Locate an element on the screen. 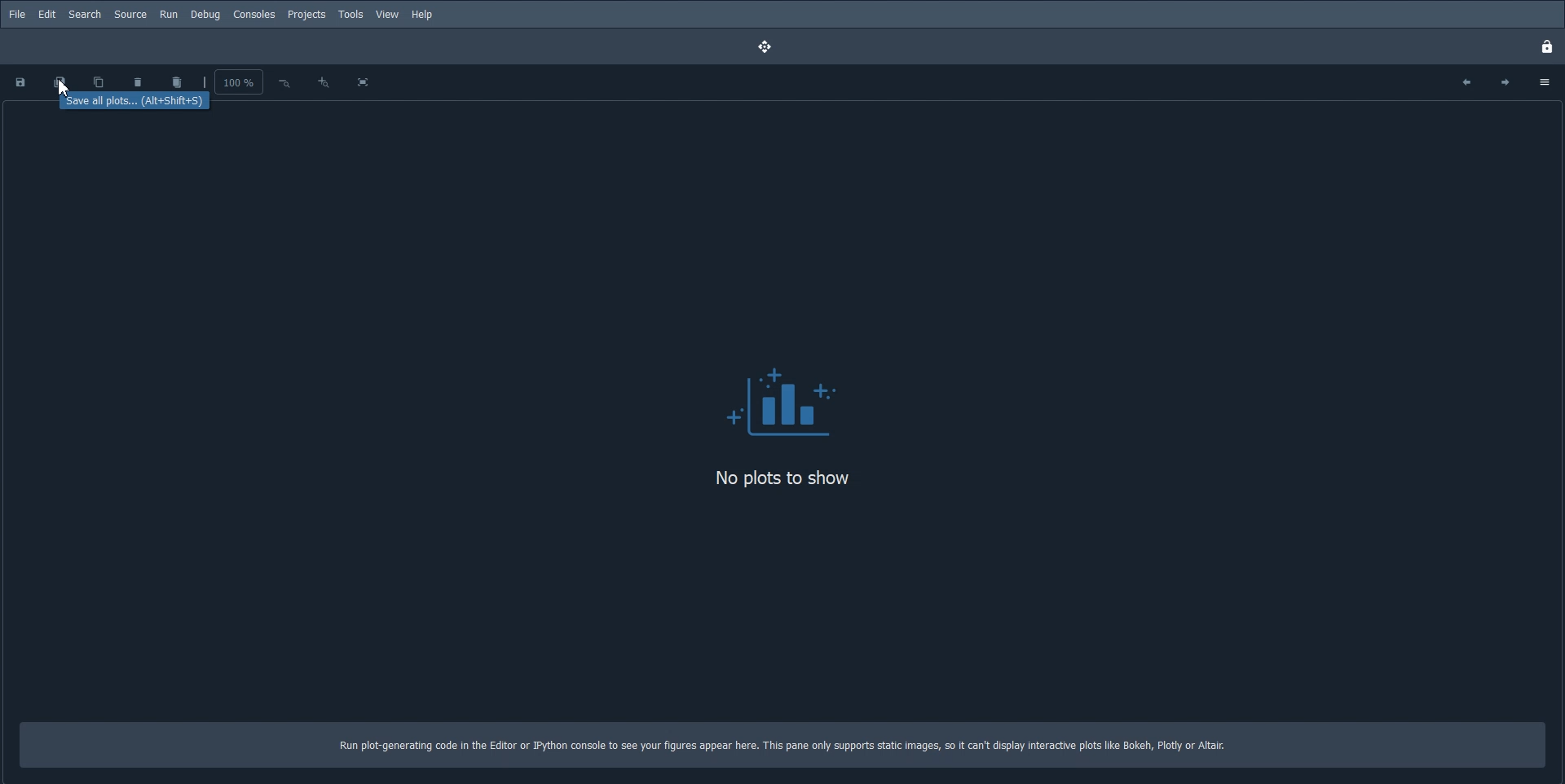 The width and height of the screenshot is (1565, 784). Projects is located at coordinates (306, 15).